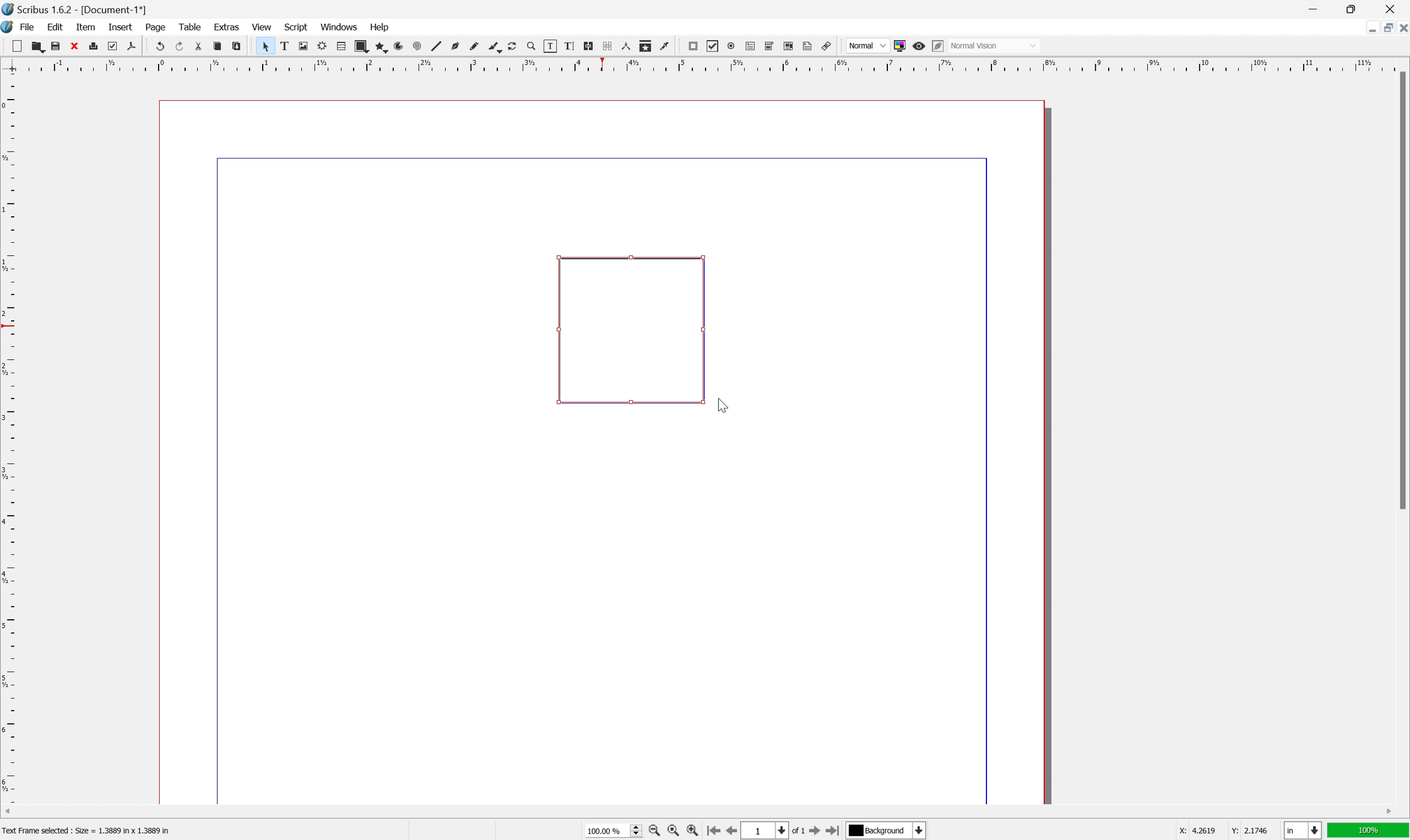 This screenshot has width=1410, height=840. I want to click on table, so click(189, 25).